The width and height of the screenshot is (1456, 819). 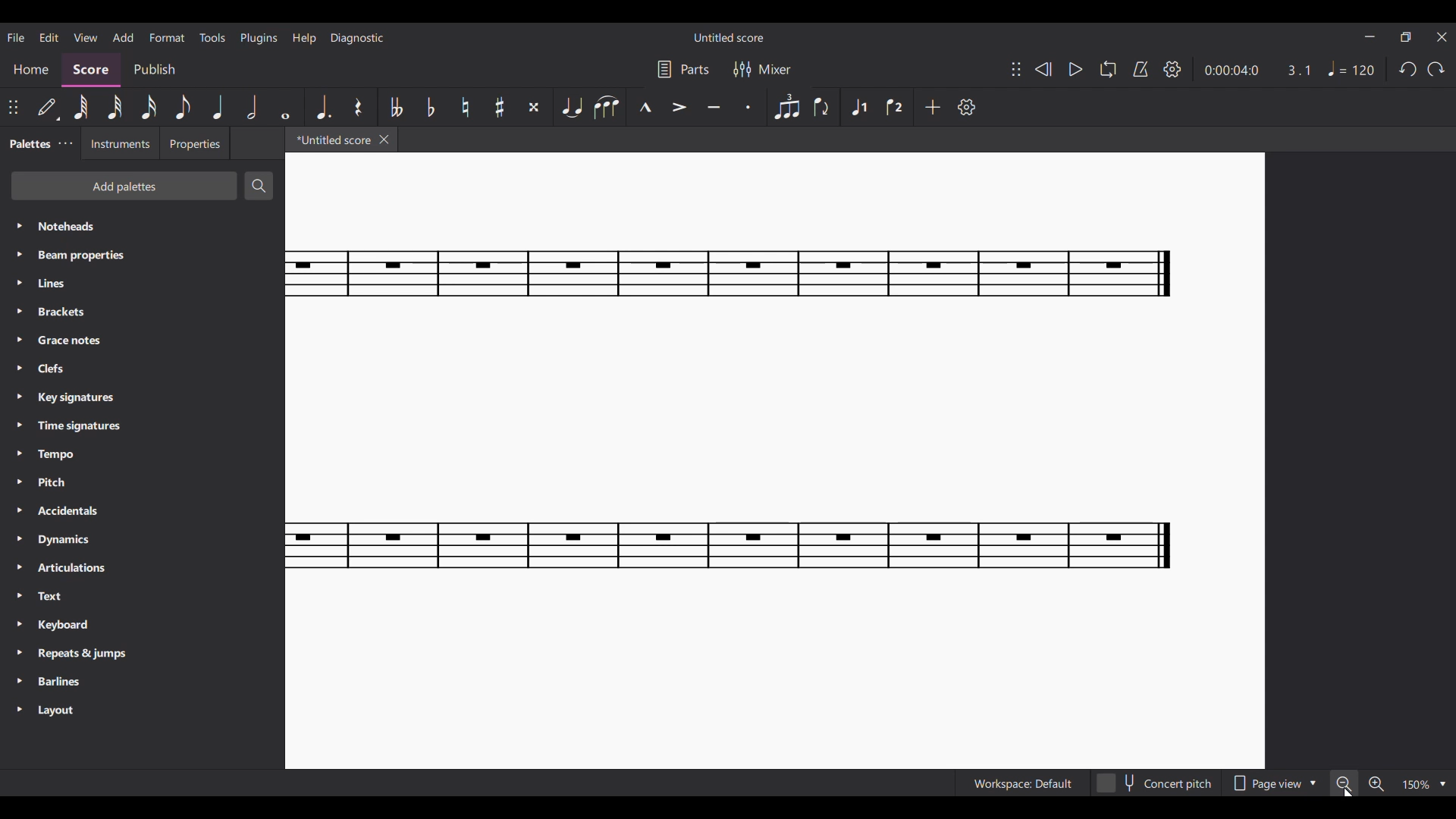 What do you see at coordinates (714, 107) in the screenshot?
I see `Tenuto` at bounding box center [714, 107].